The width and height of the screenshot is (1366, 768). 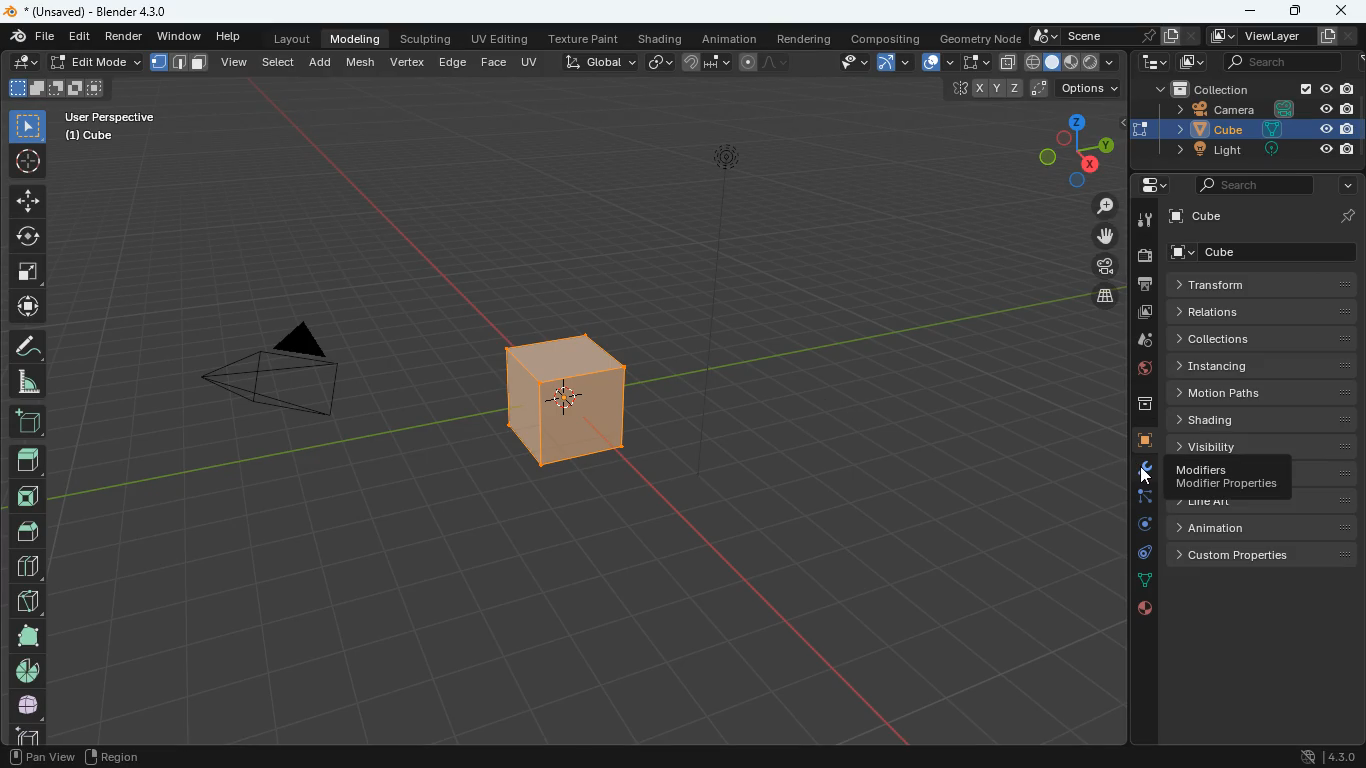 What do you see at coordinates (887, 36) in the screenshot?
I see `compositing` at bounding box center [887, 36].